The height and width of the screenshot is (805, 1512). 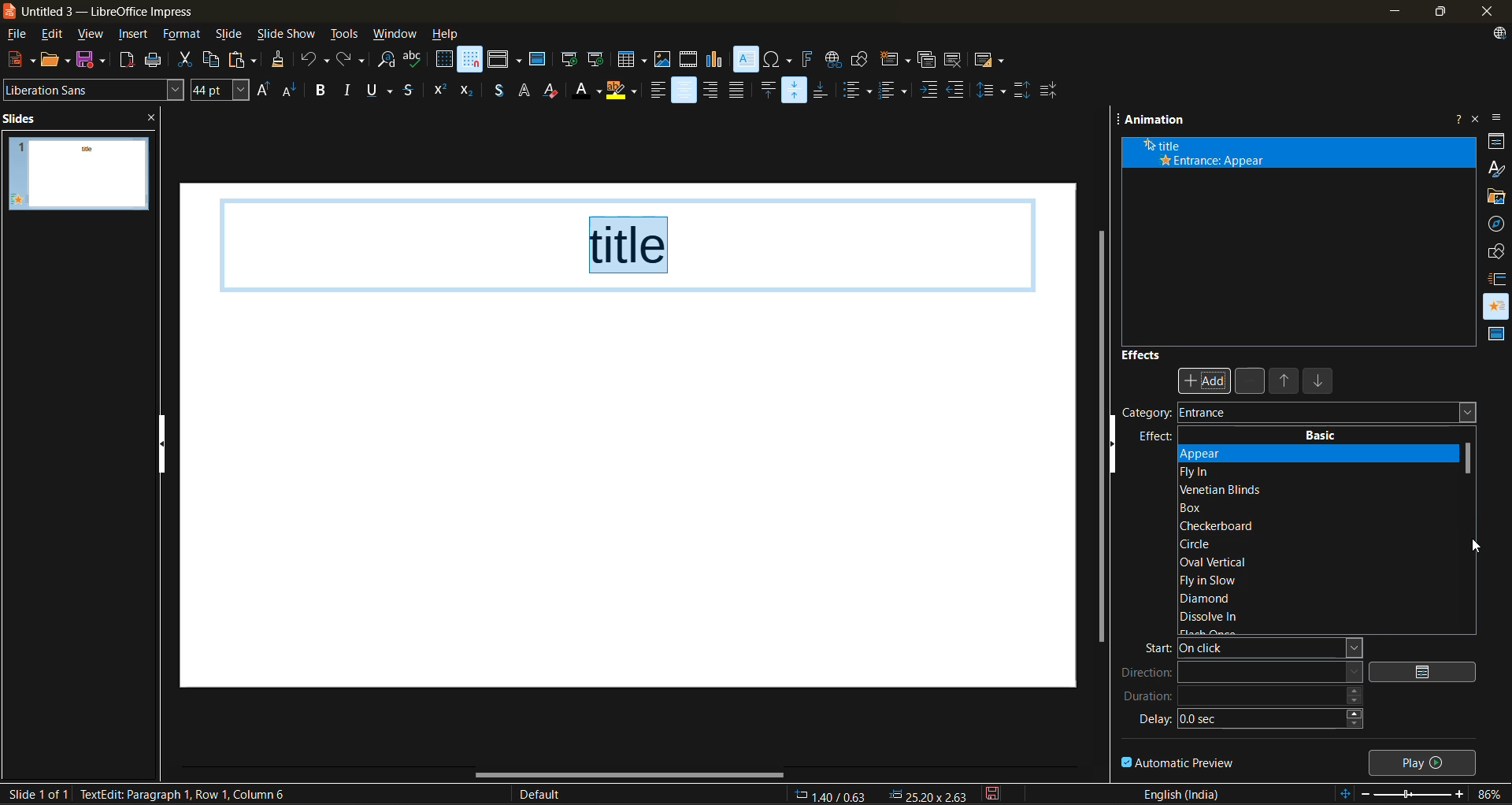 What do you see at coordinates (345, 36) in the screenshot?
I see `tools` at bounding box center [345, 36].